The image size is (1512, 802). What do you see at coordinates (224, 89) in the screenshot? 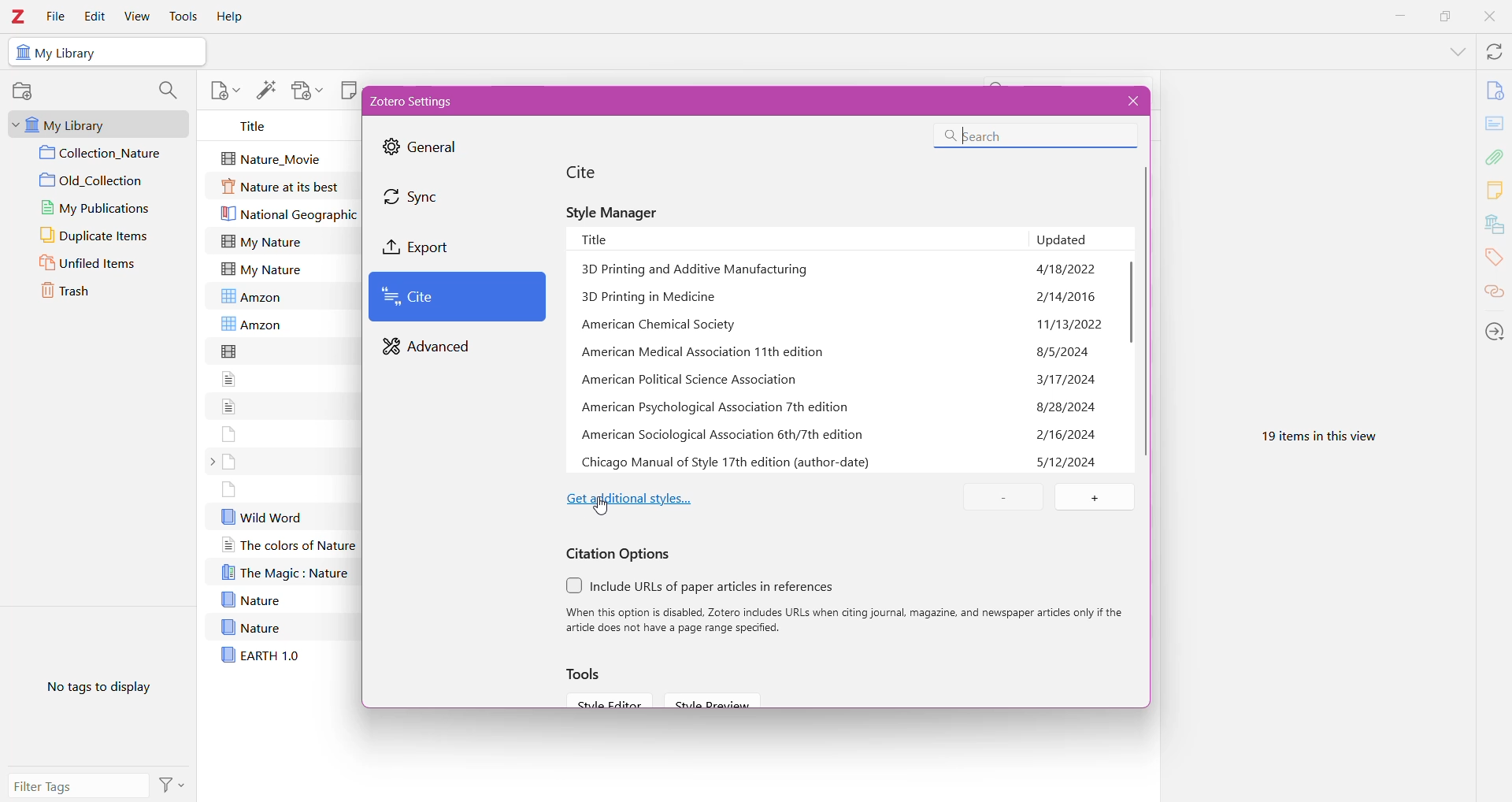
I see `New Item` at bounding box center [224, 89].